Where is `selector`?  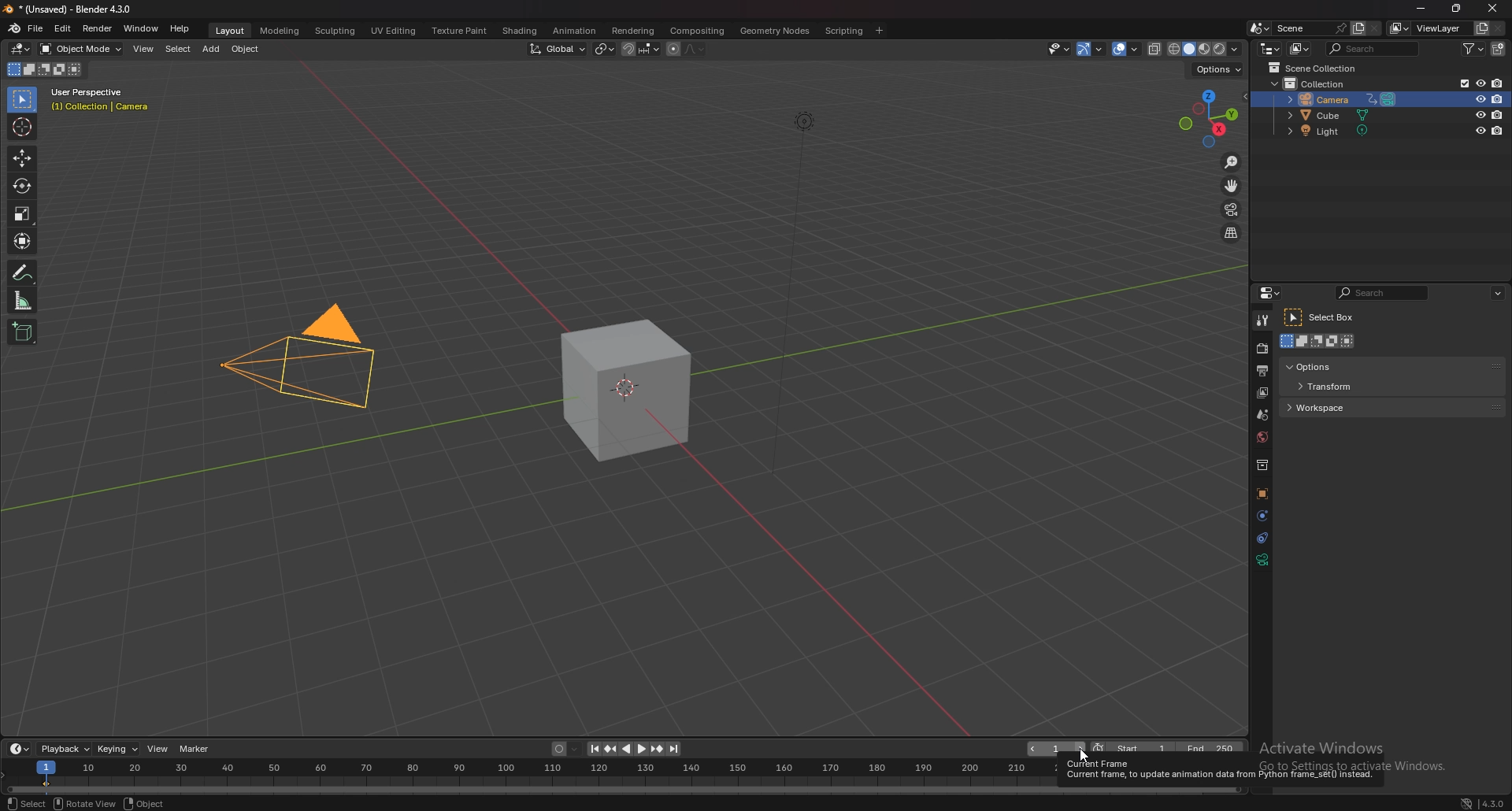
selector is located at coordinates (22, 100).